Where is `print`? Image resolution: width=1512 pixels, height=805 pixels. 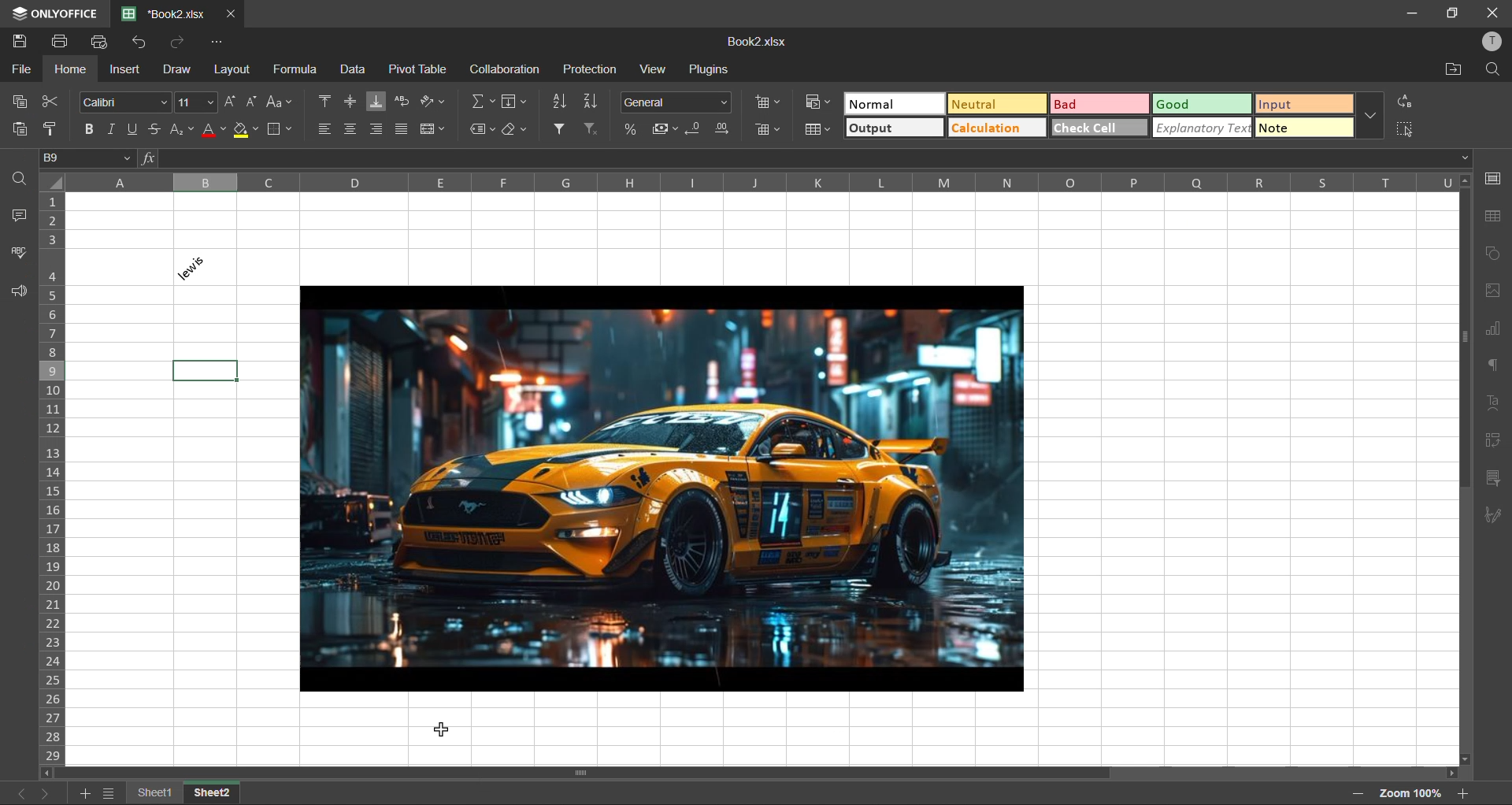 print is located at coordinates (64, 40).